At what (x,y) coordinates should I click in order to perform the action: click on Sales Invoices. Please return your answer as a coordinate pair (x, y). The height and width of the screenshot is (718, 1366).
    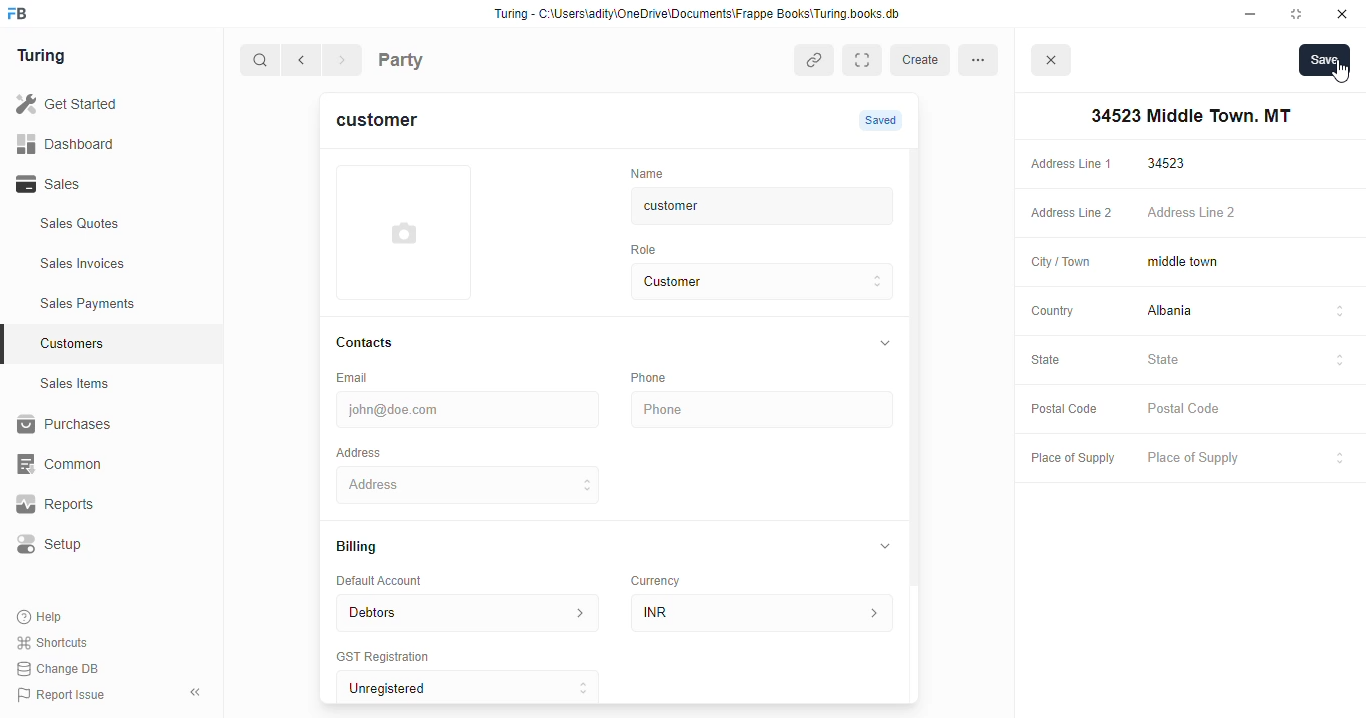
    Looking at the image, I should click on (117, 264).